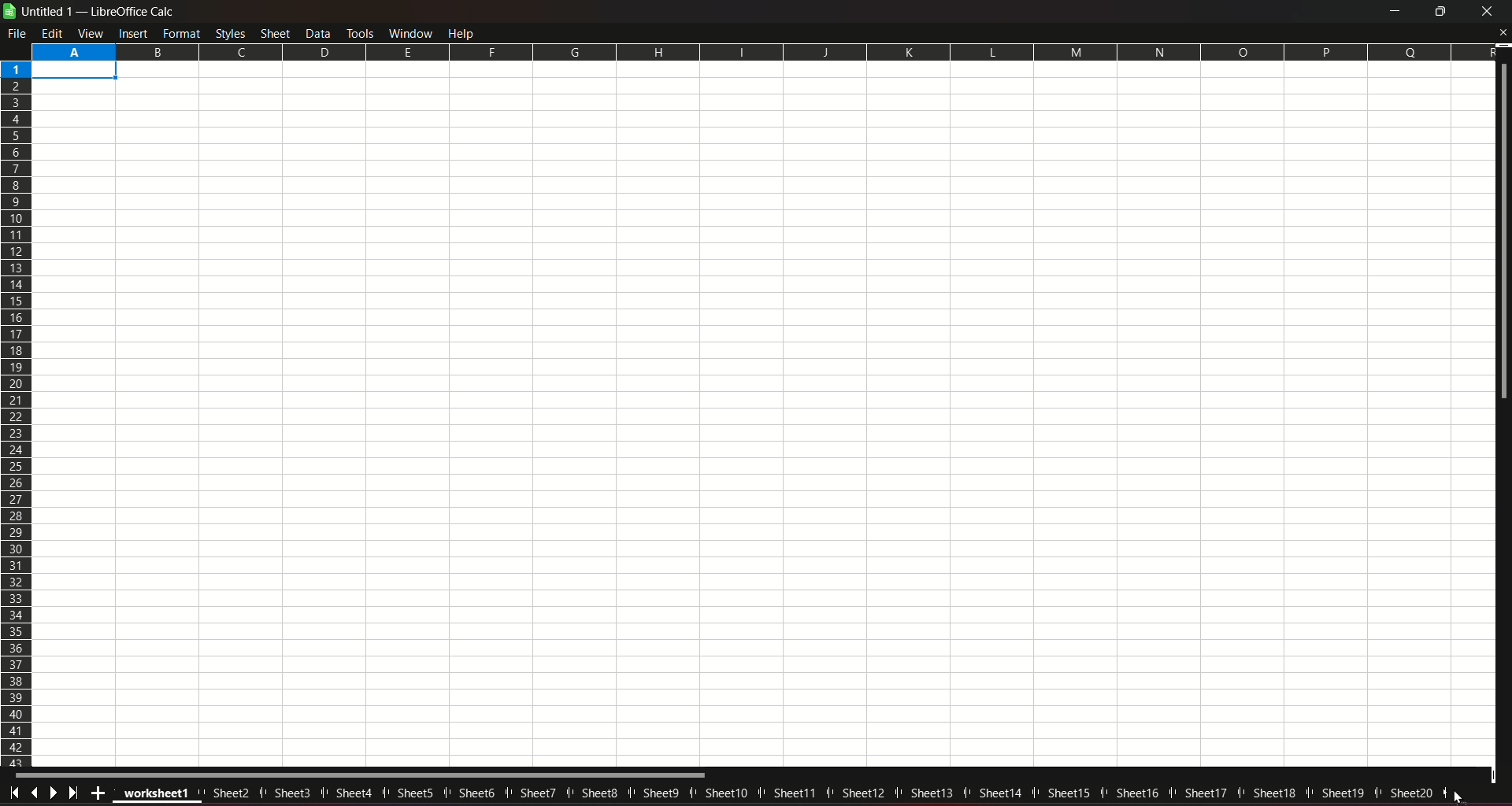 Image resolution: width=1512 pixels, height=806 pixels. What do you see at coordinates (91, 33) in the screenshot?
I see `view` at bounding box center [91, 33].